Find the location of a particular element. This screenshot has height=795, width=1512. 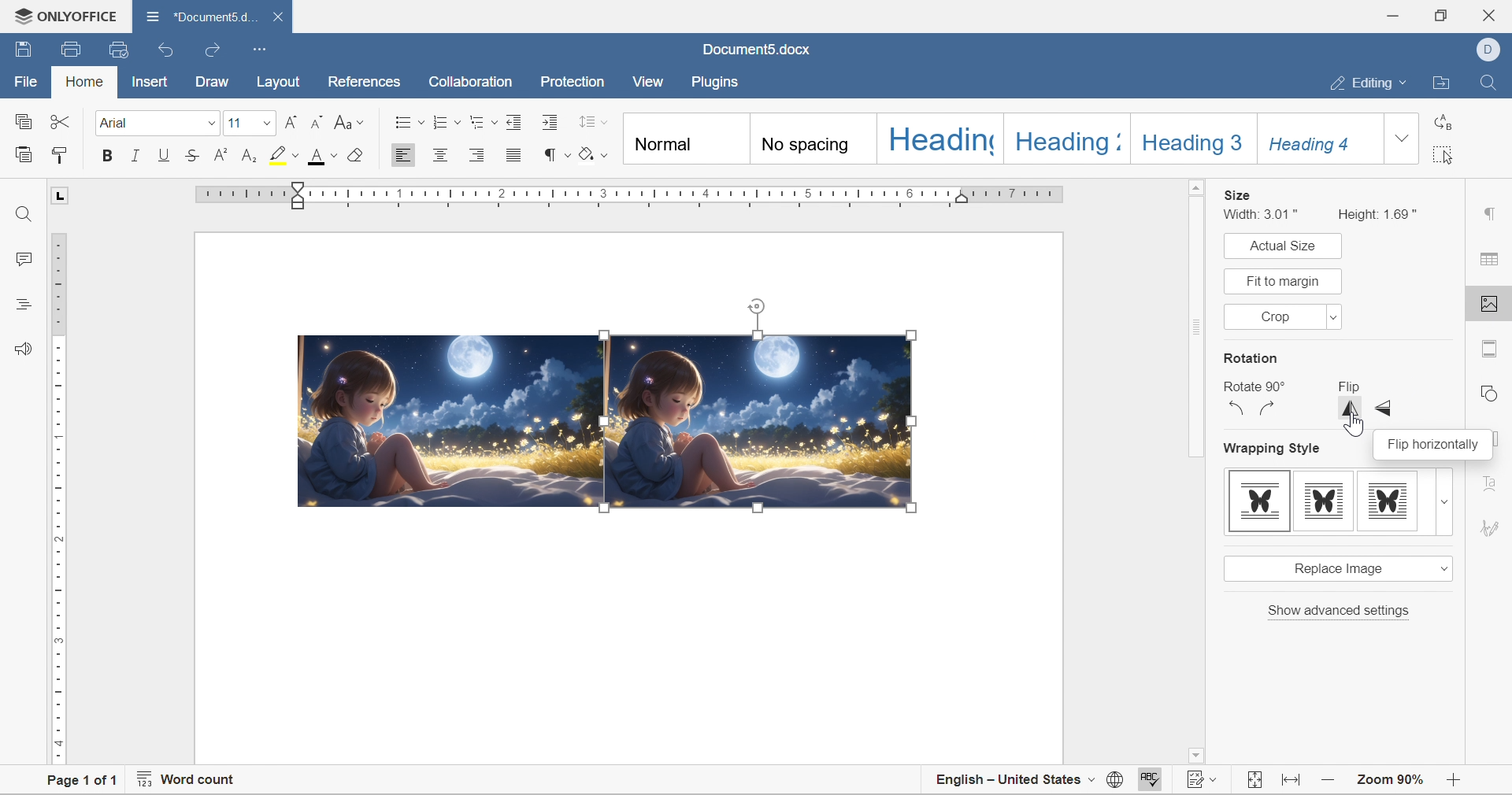

flip horizontally is located at coordinates (1385, 408).